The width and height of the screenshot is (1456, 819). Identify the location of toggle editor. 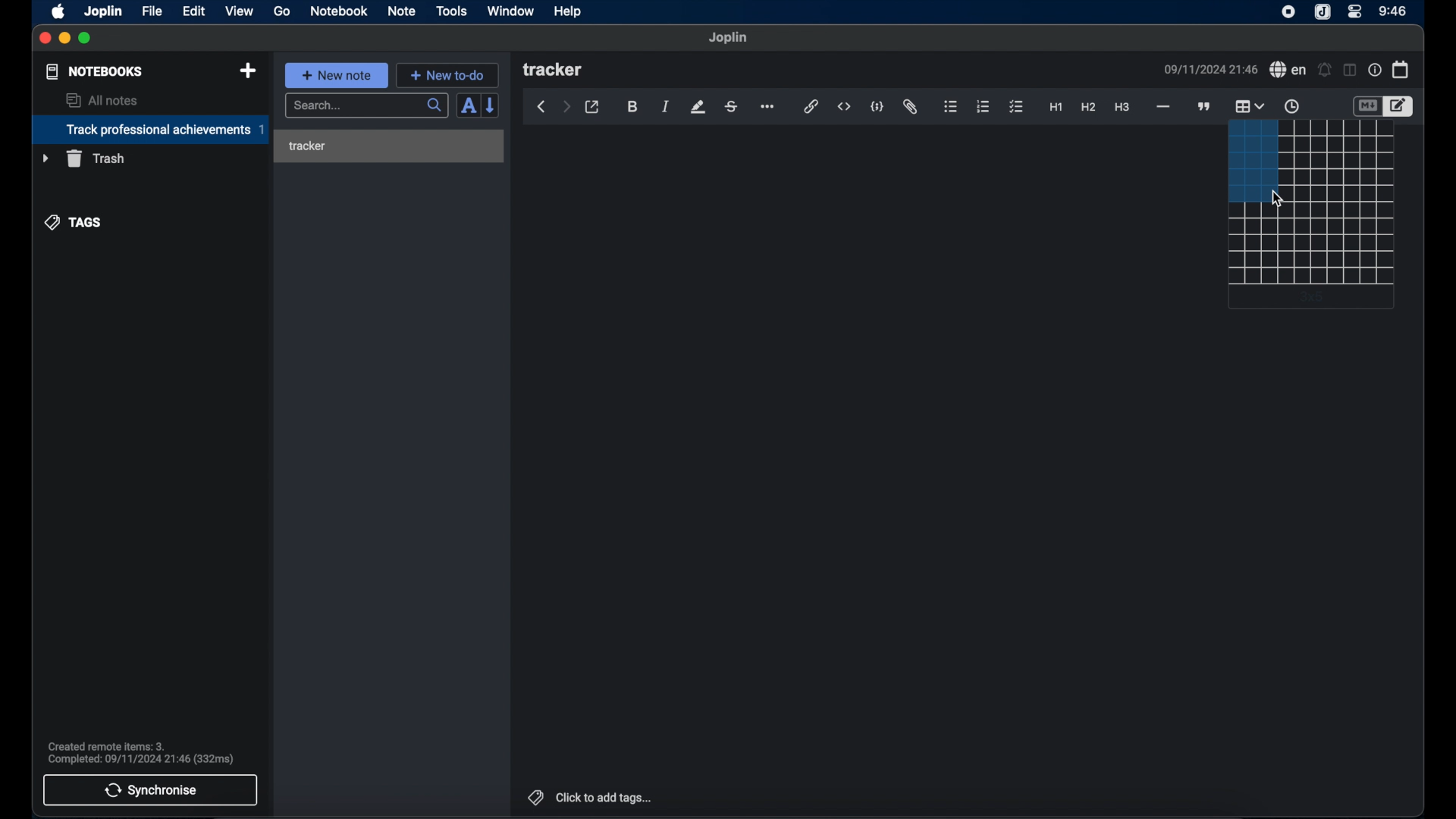
(1366, 106).